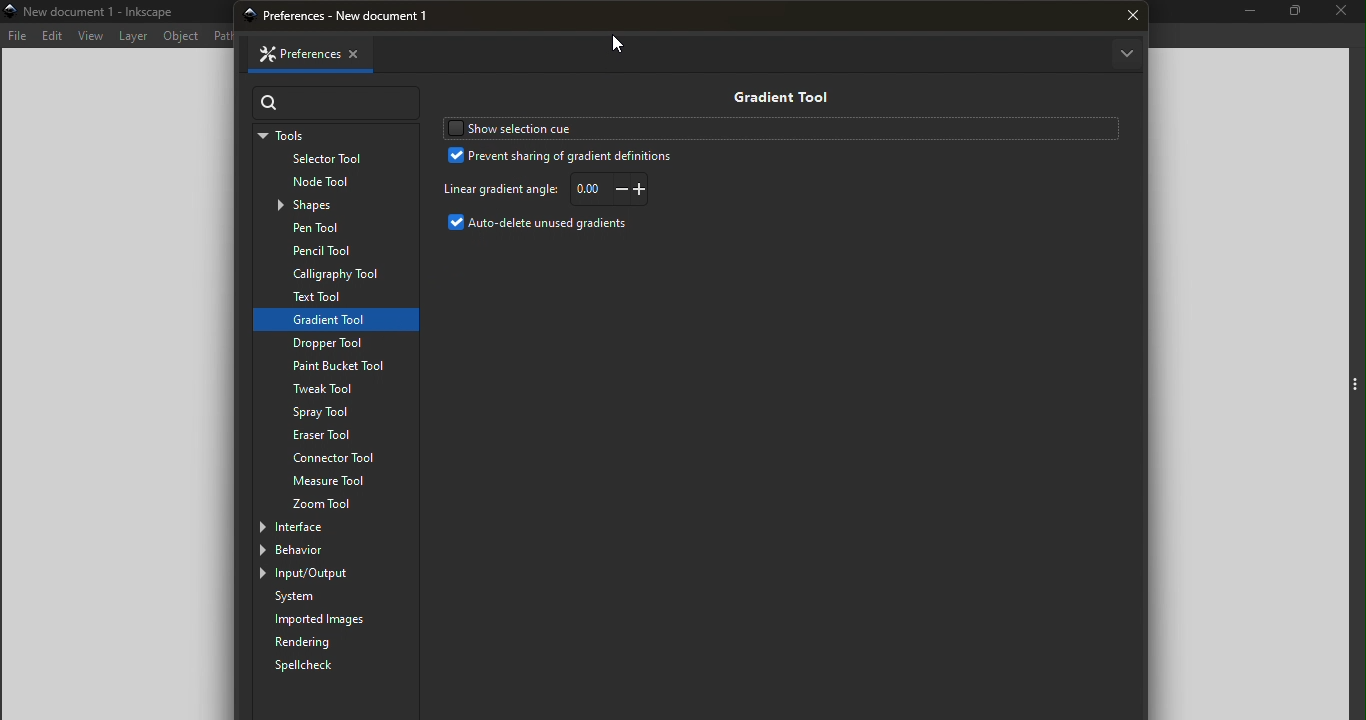 The image size is (1366, 720). I want to click on Text tool, so click(330, 297).